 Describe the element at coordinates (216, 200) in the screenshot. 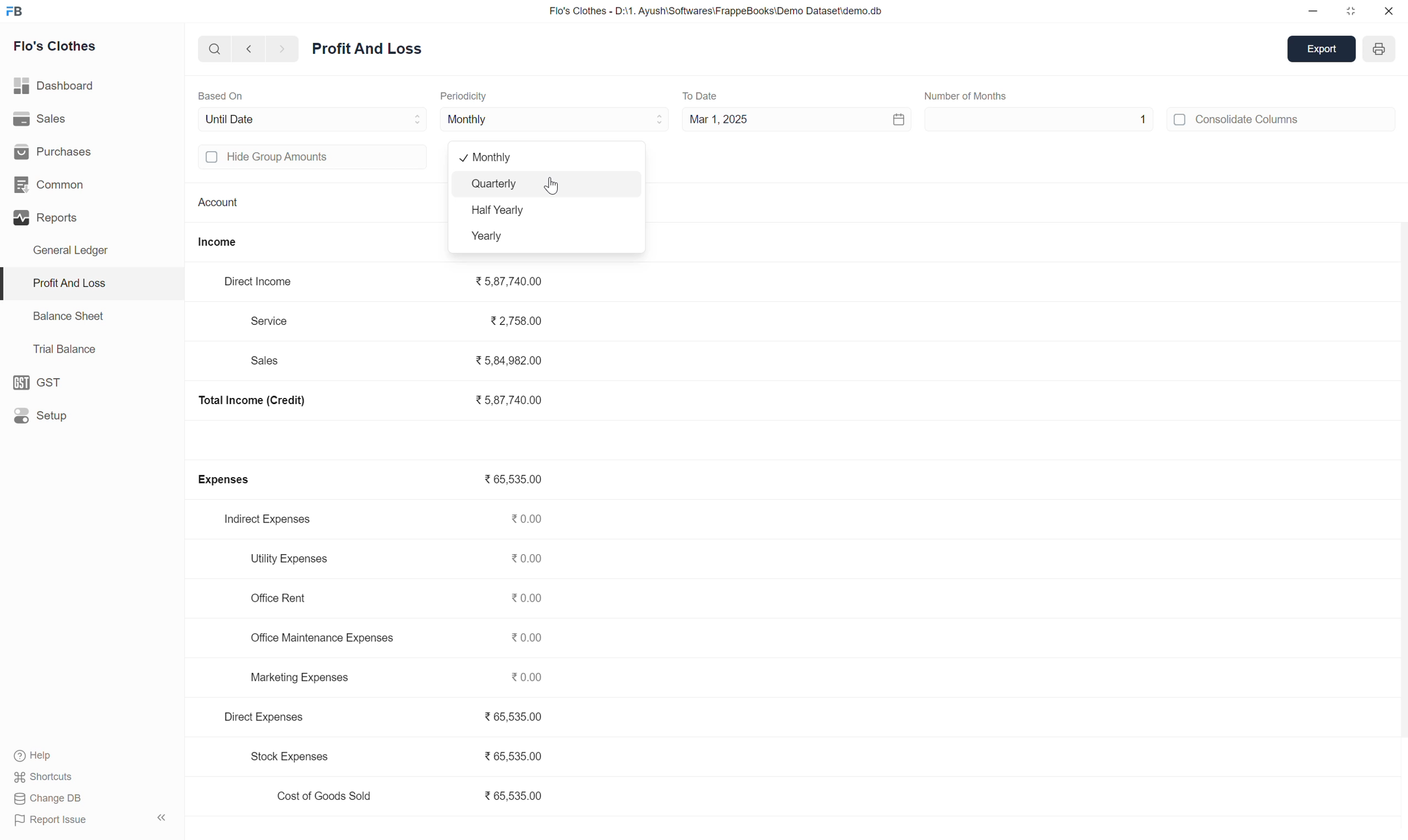

I see `Account` at that location.